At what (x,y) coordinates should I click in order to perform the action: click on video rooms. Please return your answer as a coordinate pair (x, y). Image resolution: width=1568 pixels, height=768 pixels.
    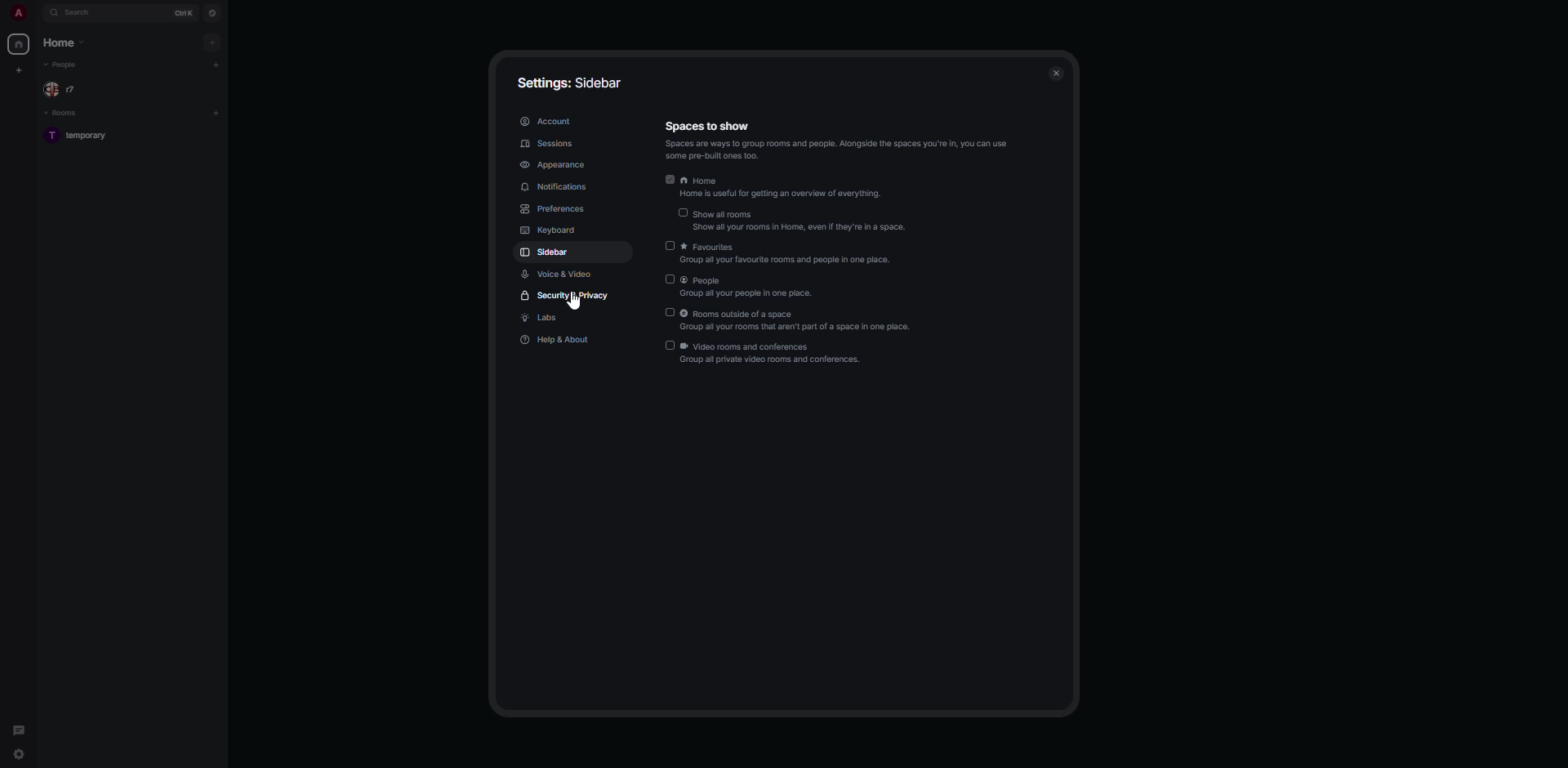
    Looking at the image, I should click on (767, 354).